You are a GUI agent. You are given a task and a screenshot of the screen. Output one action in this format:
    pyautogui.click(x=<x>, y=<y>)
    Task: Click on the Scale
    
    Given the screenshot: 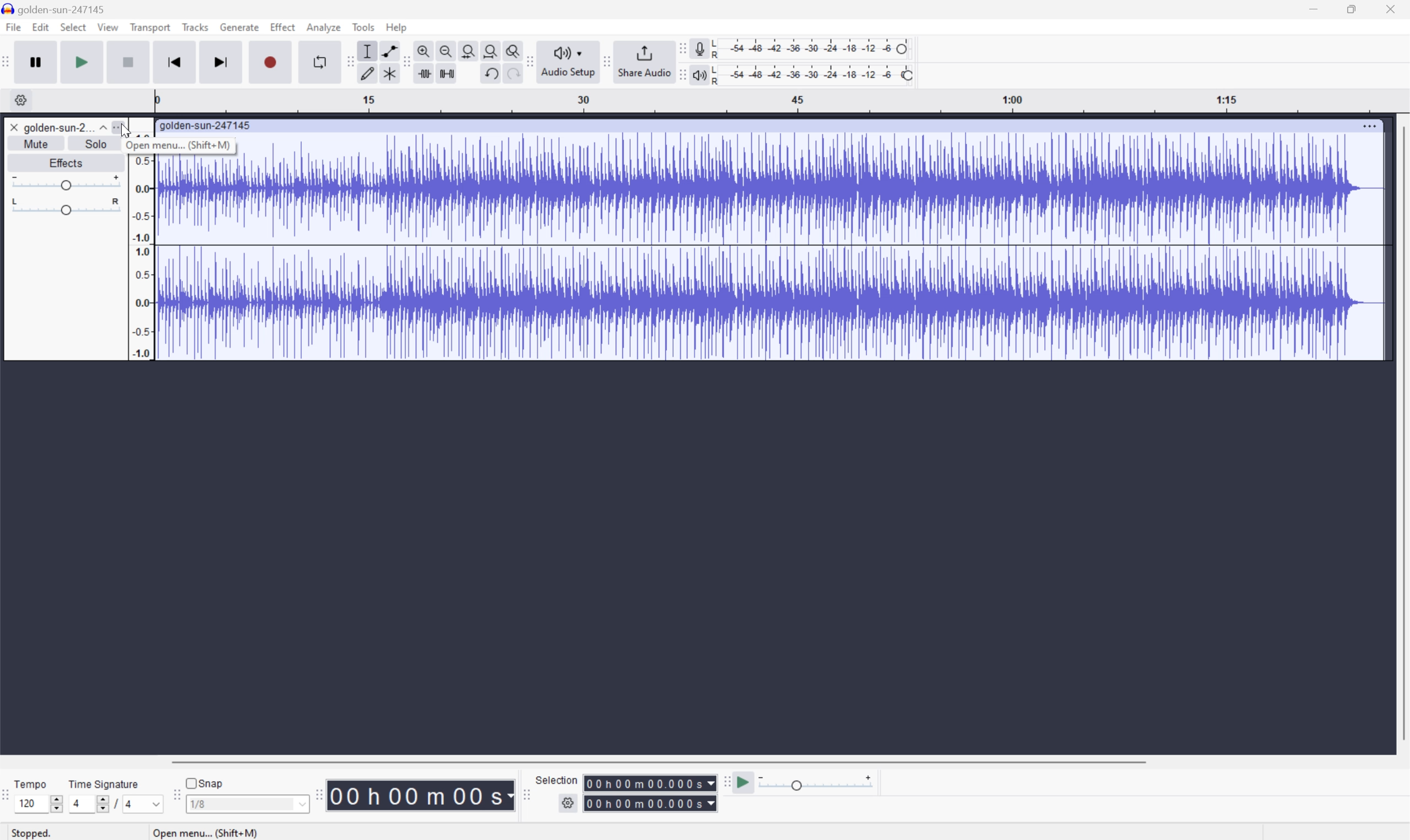 What is the action you would take?
    pyautogui.click(x=782, y=101)
    